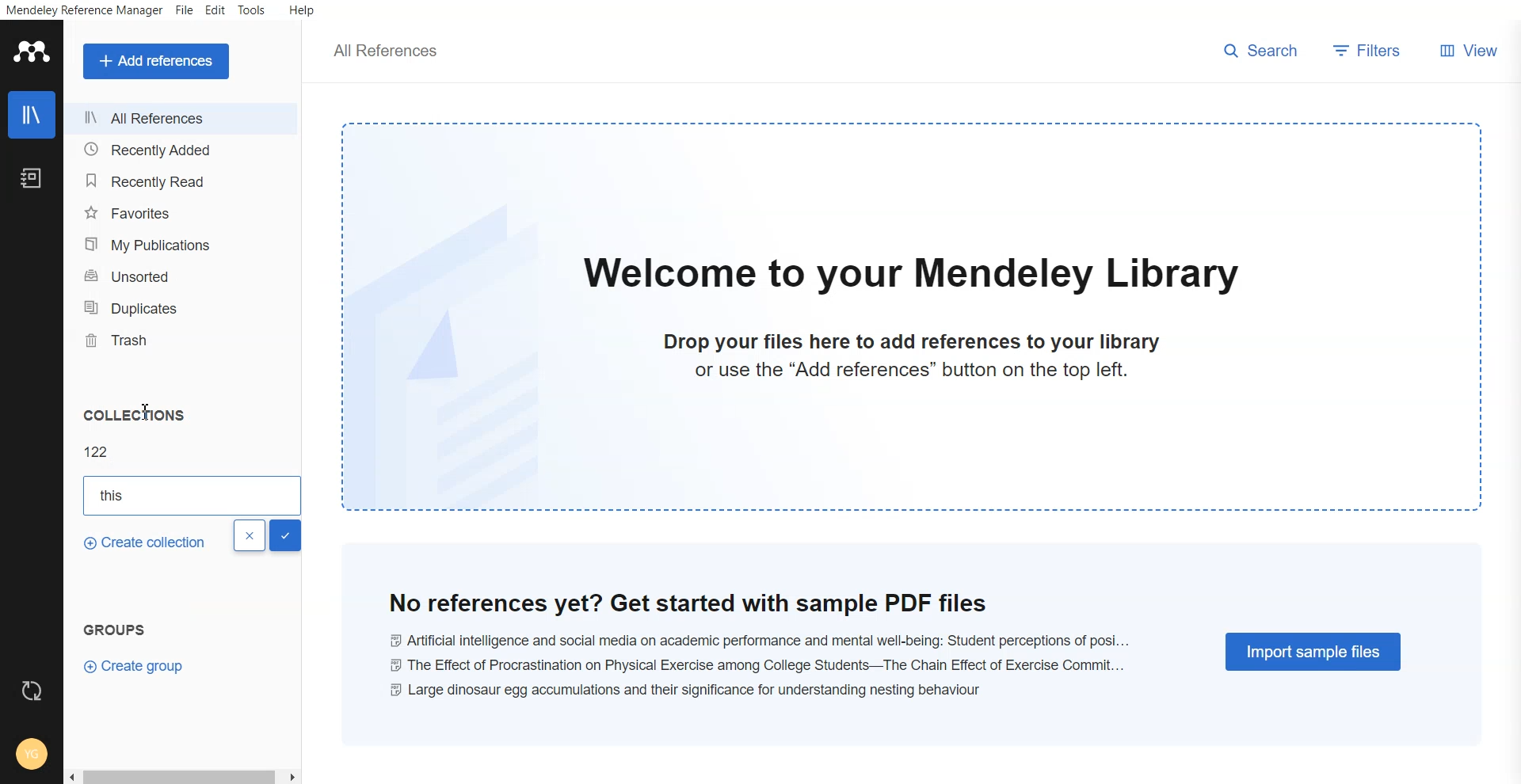 The height and width of the screenshot is (784, 1521). Describe the element at coordinates (182, 149) in the screenshot. I see `Recently added` at that location.